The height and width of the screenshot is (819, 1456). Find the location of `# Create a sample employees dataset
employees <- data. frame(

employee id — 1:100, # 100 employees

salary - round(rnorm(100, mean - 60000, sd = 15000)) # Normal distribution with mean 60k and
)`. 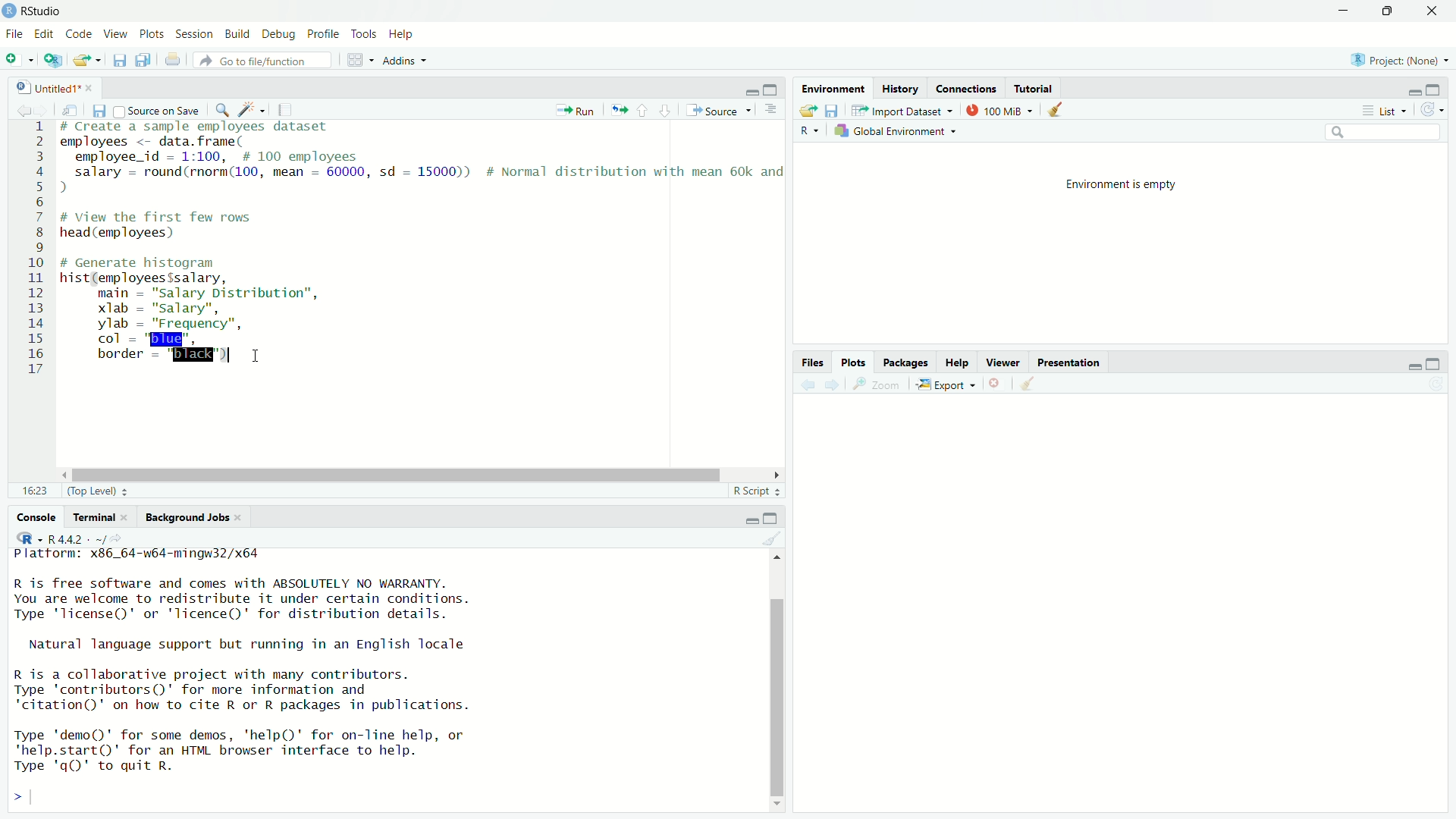

# Create a sample employees dataset
employees <- data. frame(

employee id — 1:100, # 100 employees

salary - round(rnorm(100, mean - 60000, sd = 15000)) # Normal distribution with mean 60k and
) is located at coordinates (422, 160).